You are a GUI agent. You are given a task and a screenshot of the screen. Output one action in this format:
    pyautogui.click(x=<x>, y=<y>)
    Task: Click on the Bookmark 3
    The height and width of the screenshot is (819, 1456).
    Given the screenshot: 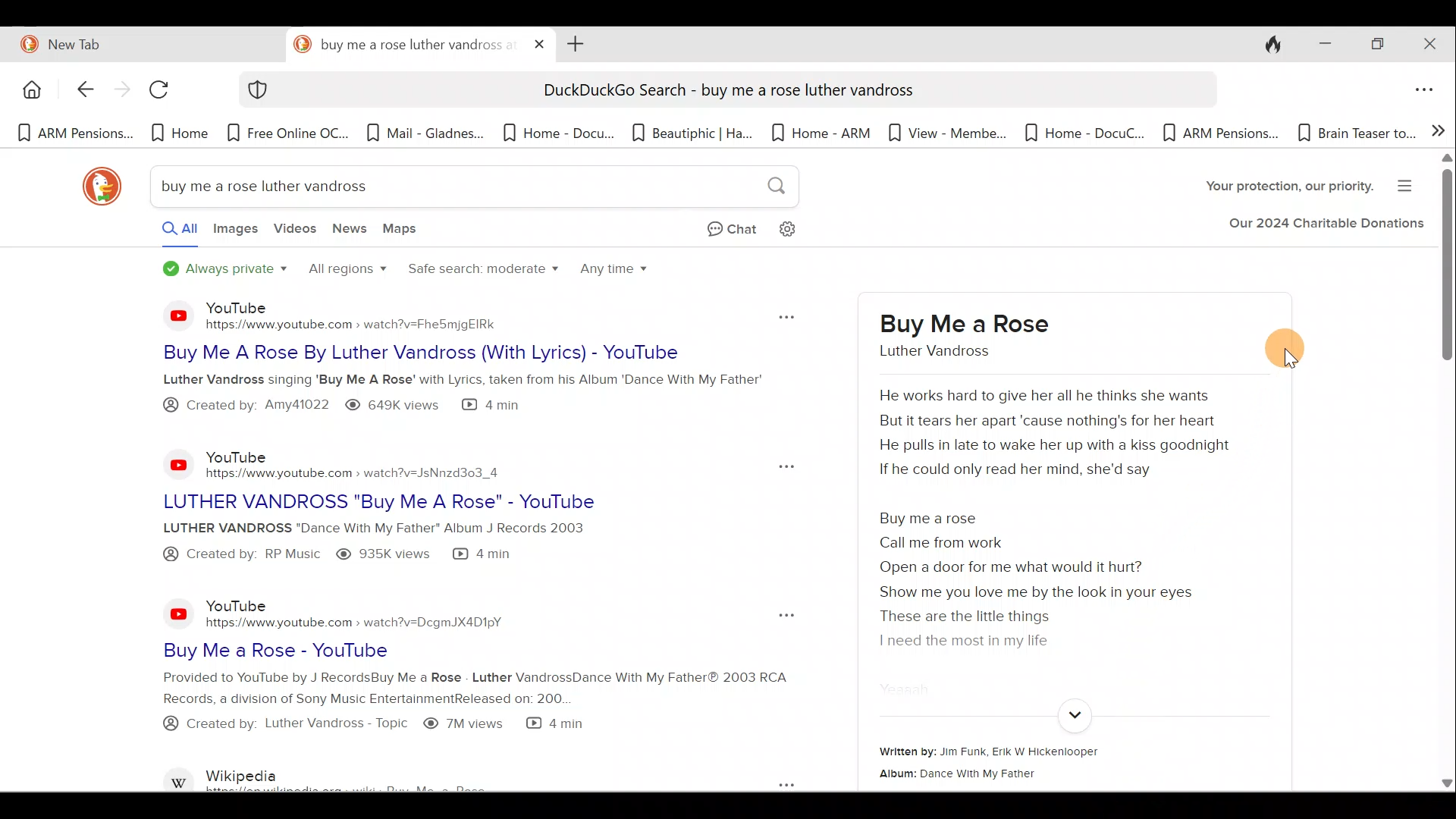 What is the action you would take?
    pyautogui.click(x=290, y=133)
    